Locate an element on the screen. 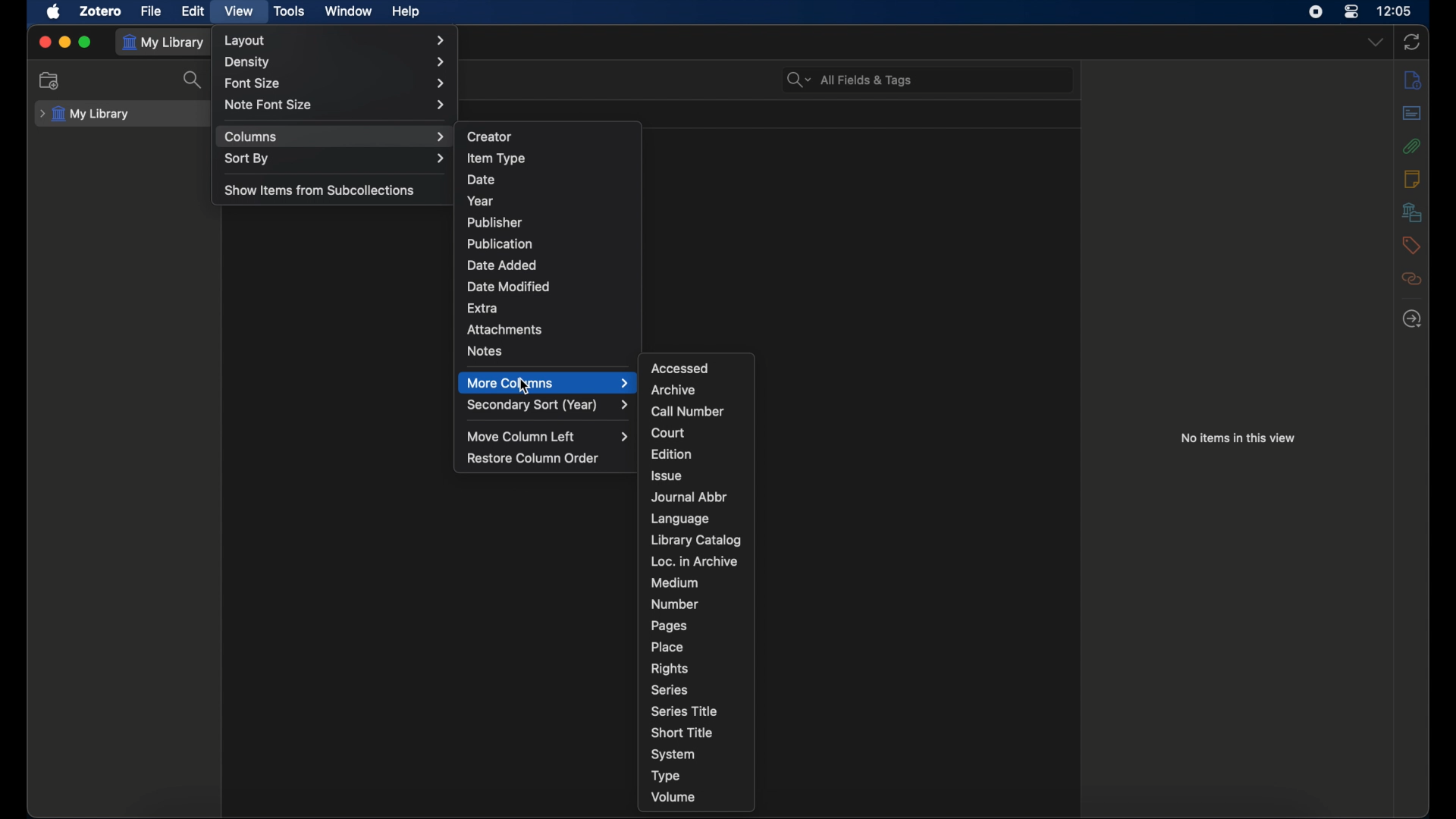 The image size is (1456, 819). type is located at coordinates (666, 776).